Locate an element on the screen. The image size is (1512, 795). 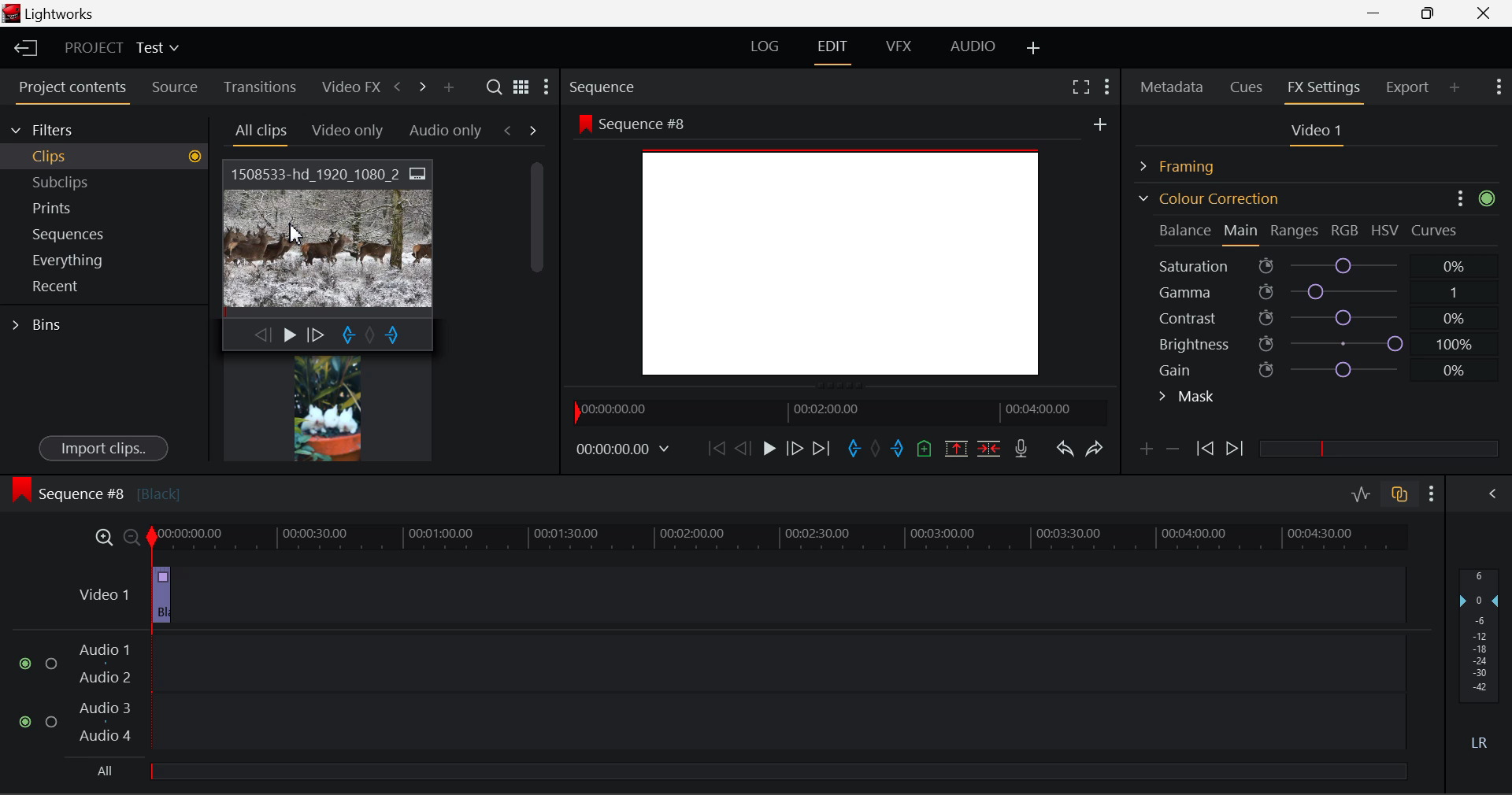
Prints is located at coordinates (74, 205).